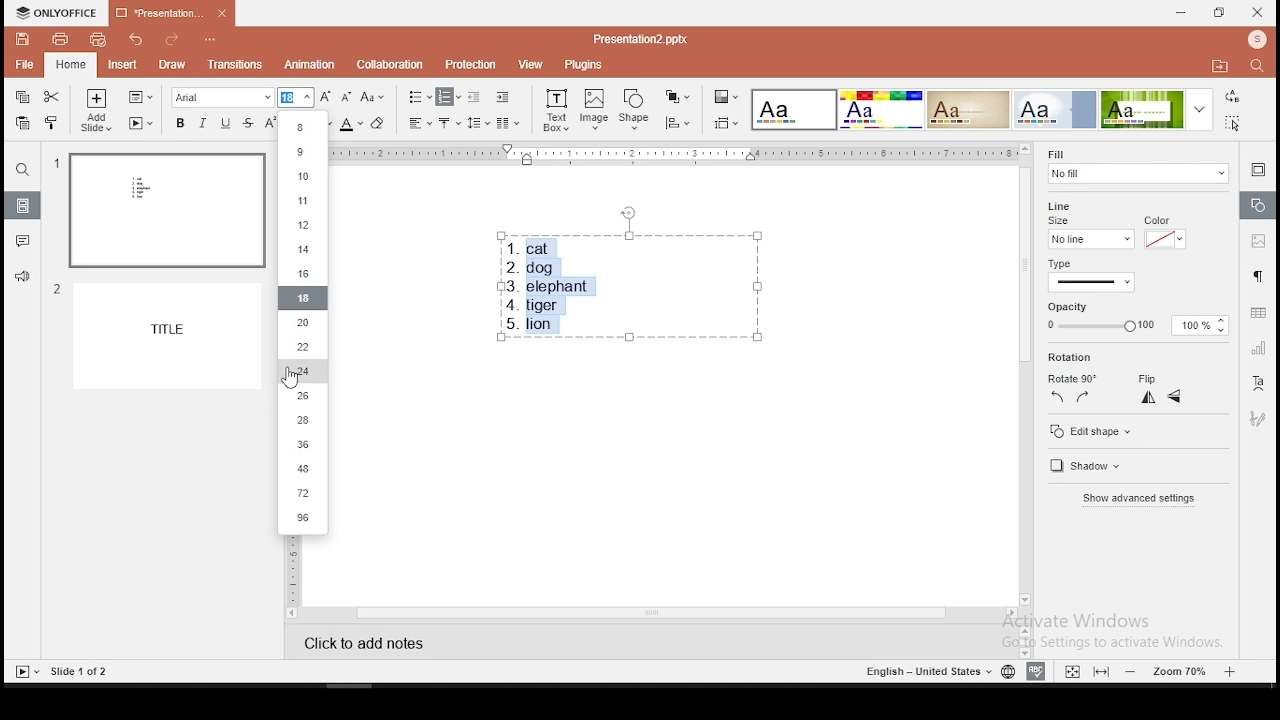  What do you see at coordinates (1057, 109) in the screenshot?
I see `theme ` at bounding box center [1057, 109].